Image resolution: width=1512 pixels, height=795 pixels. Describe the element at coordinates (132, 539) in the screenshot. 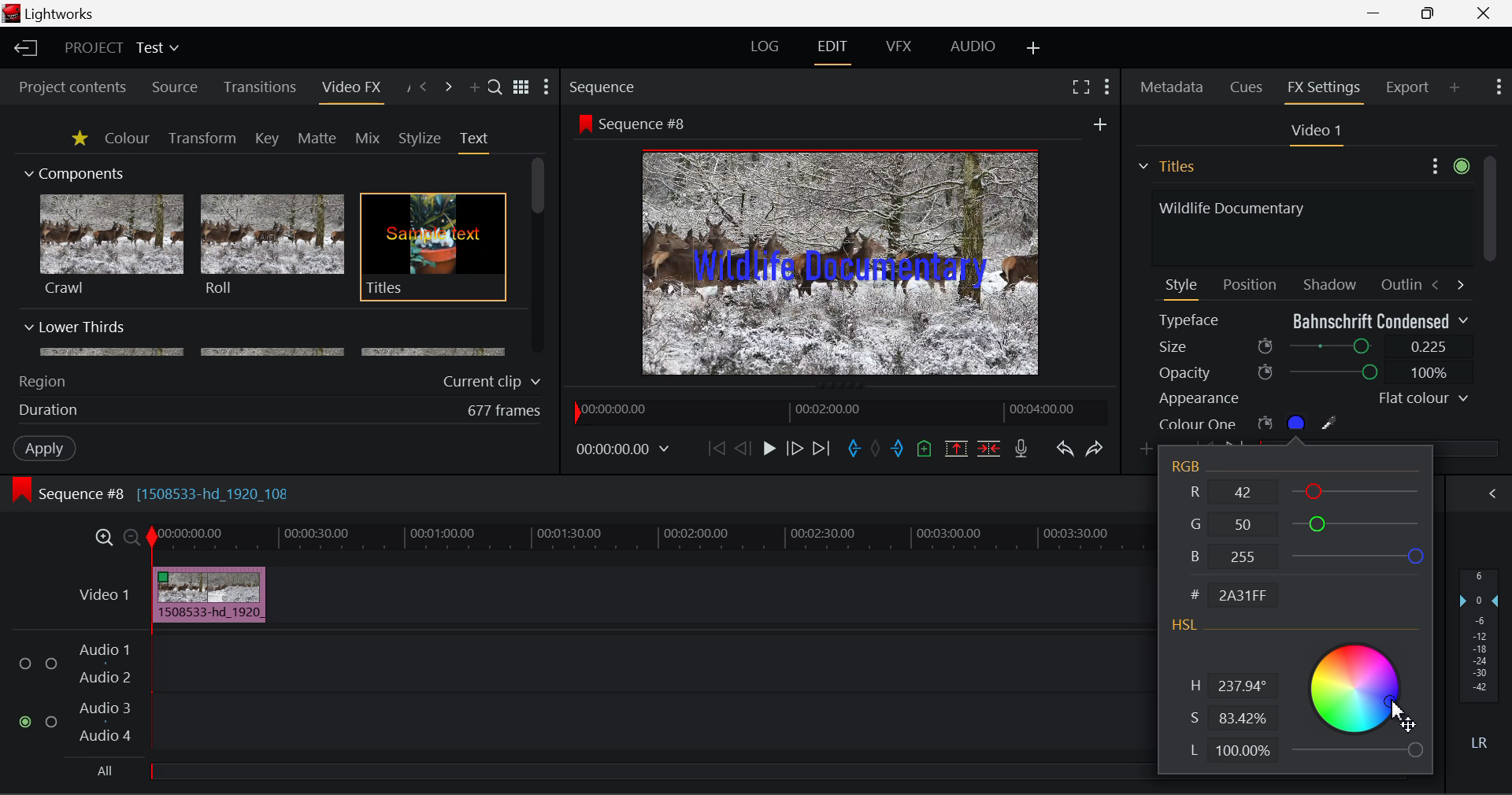

I see `Zoom Out Timeline` at that location.